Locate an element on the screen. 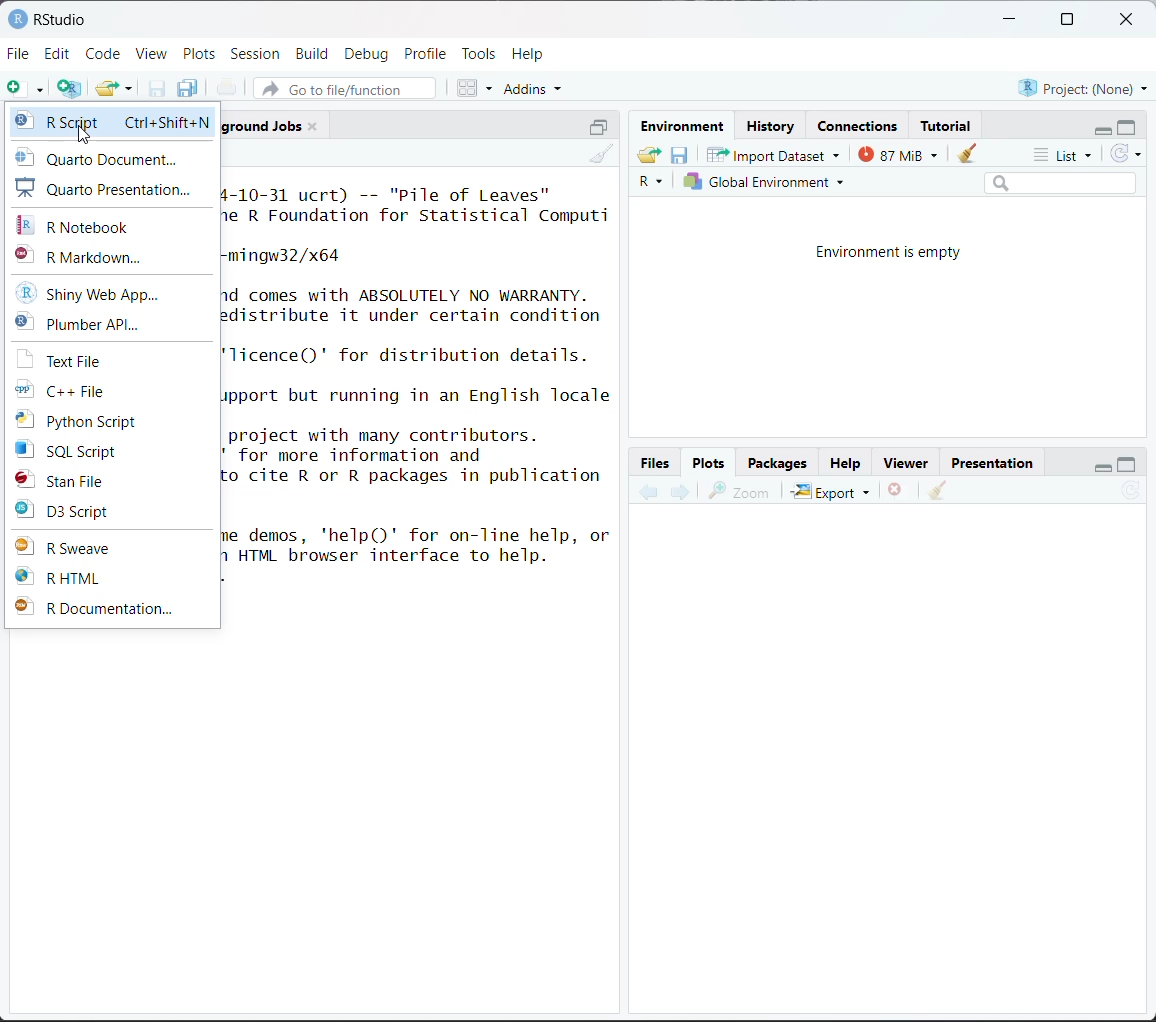 The width and height of the screenshot is (1156, 1022). C++ File is located at coordinates (69, 388).